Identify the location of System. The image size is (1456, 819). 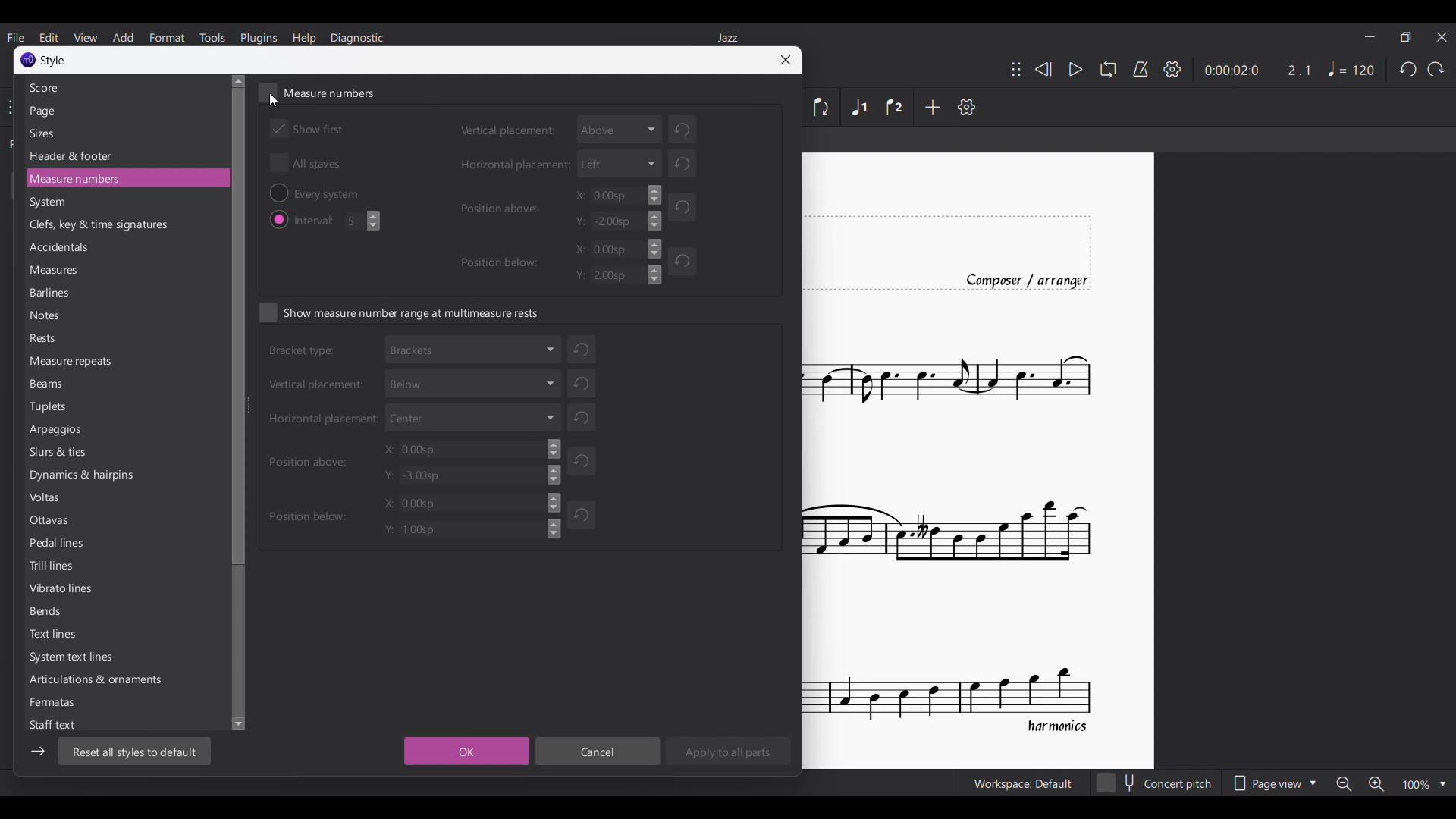
(76, 659).